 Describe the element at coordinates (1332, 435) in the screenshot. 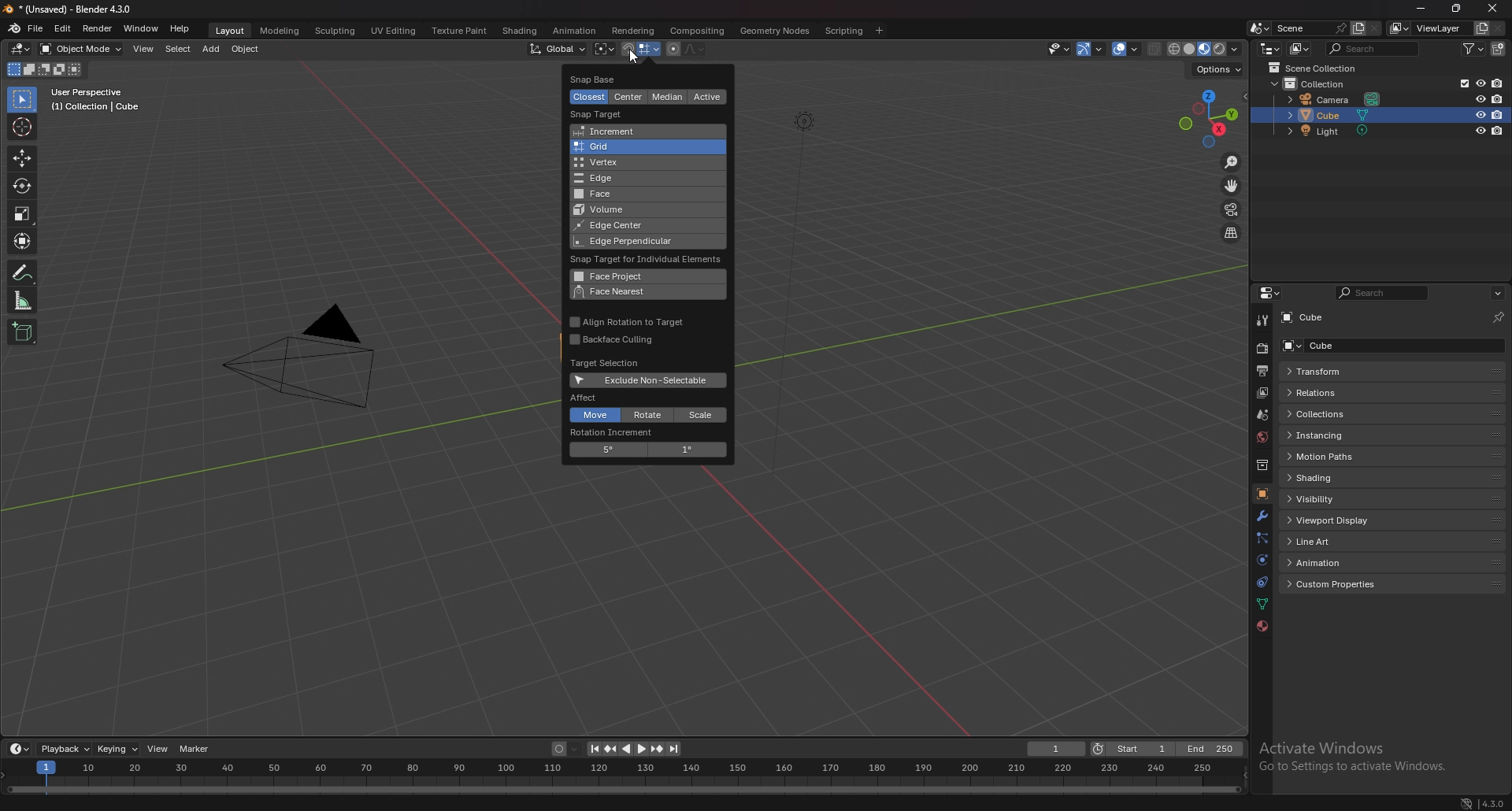

I see `instancing` at that location.